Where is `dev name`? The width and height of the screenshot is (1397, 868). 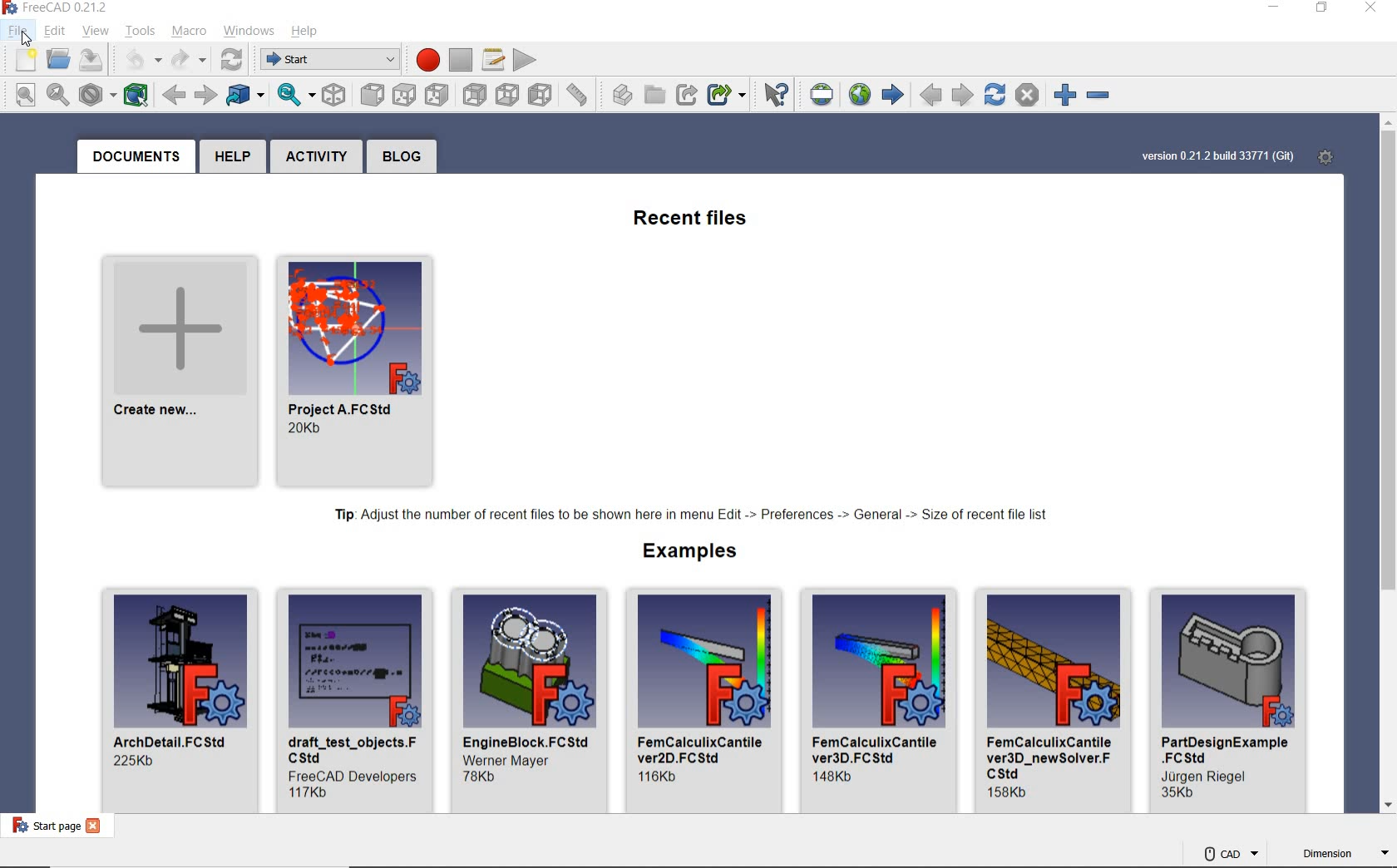 dev name is located at coordinates (353, 774).